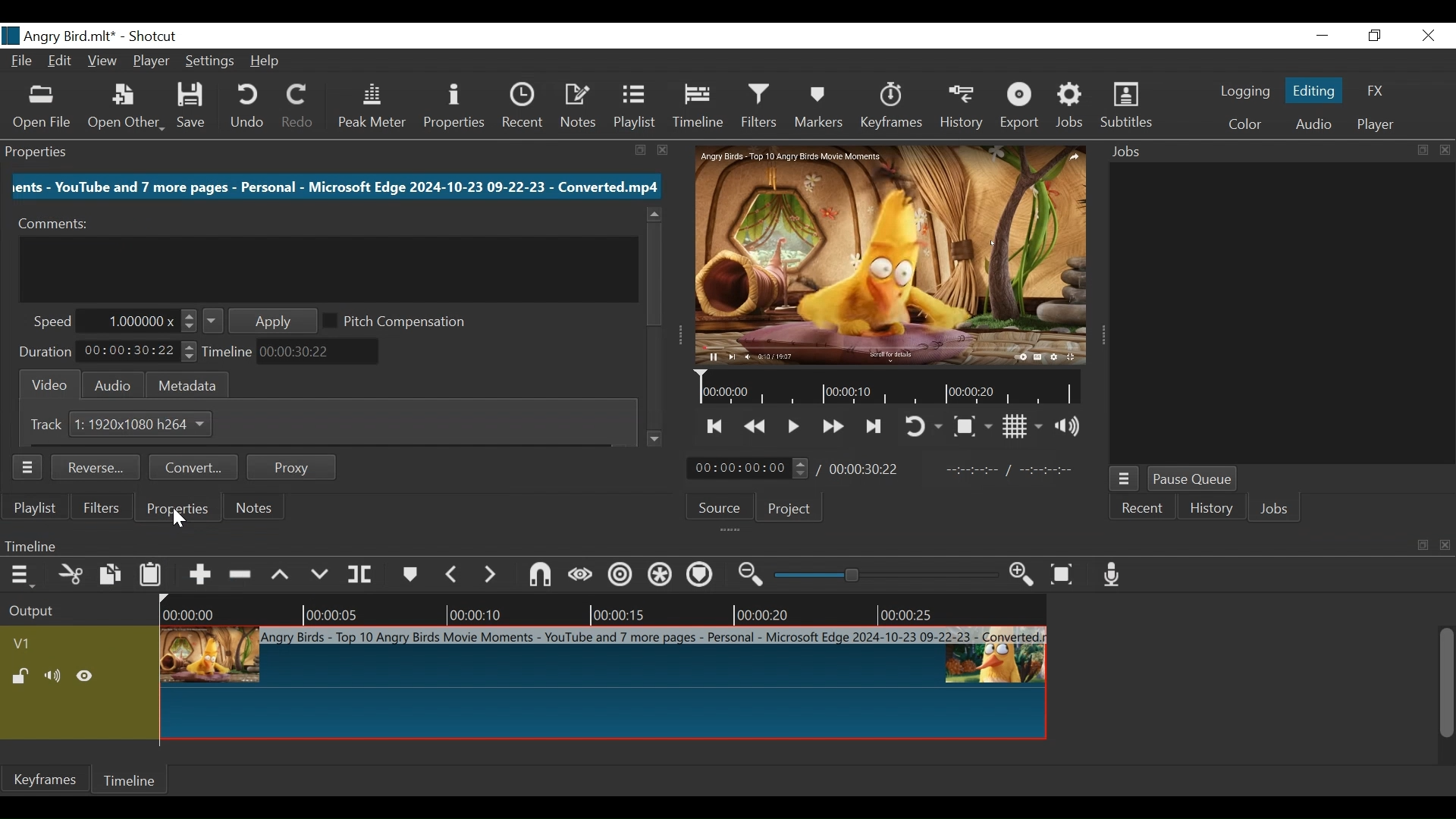  What do you see at coordinates (212, 62) in the screenshot?
I see `Settings` at bounding box center [212, 62].